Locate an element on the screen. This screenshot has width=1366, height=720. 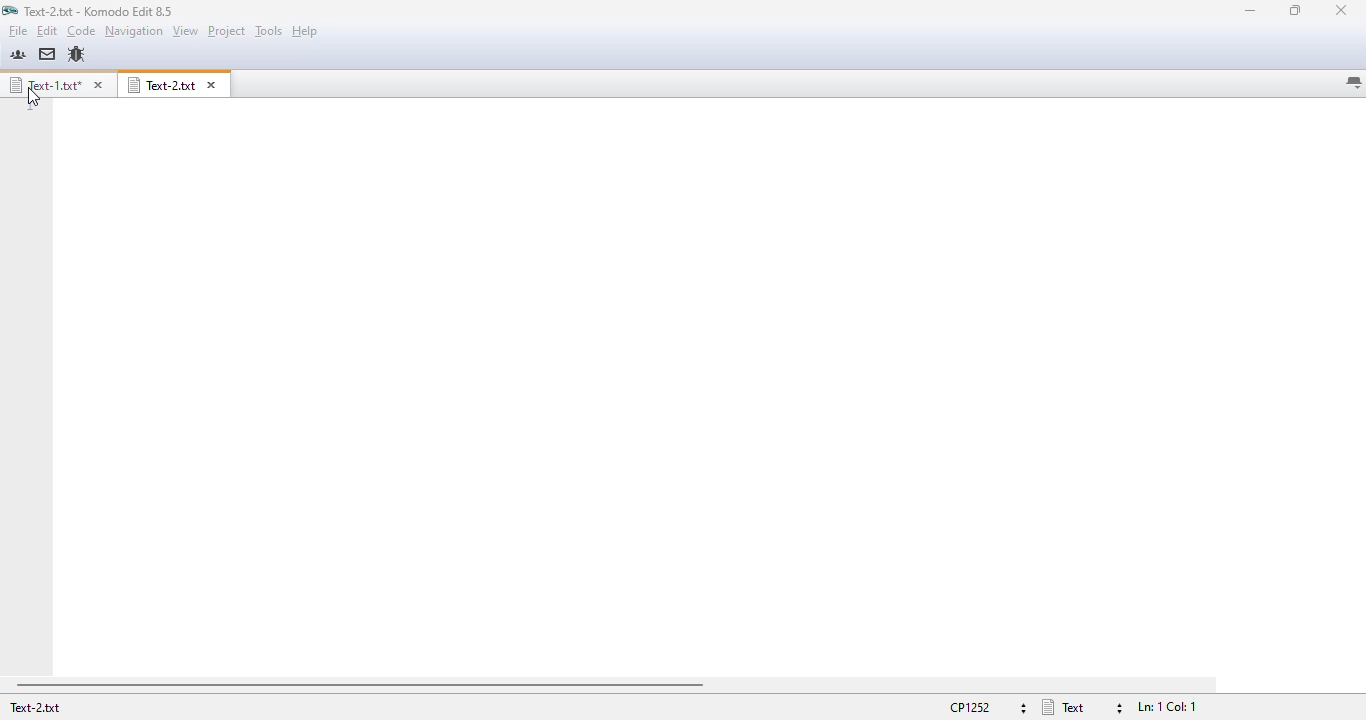
title is located at coordinates (99, 11).